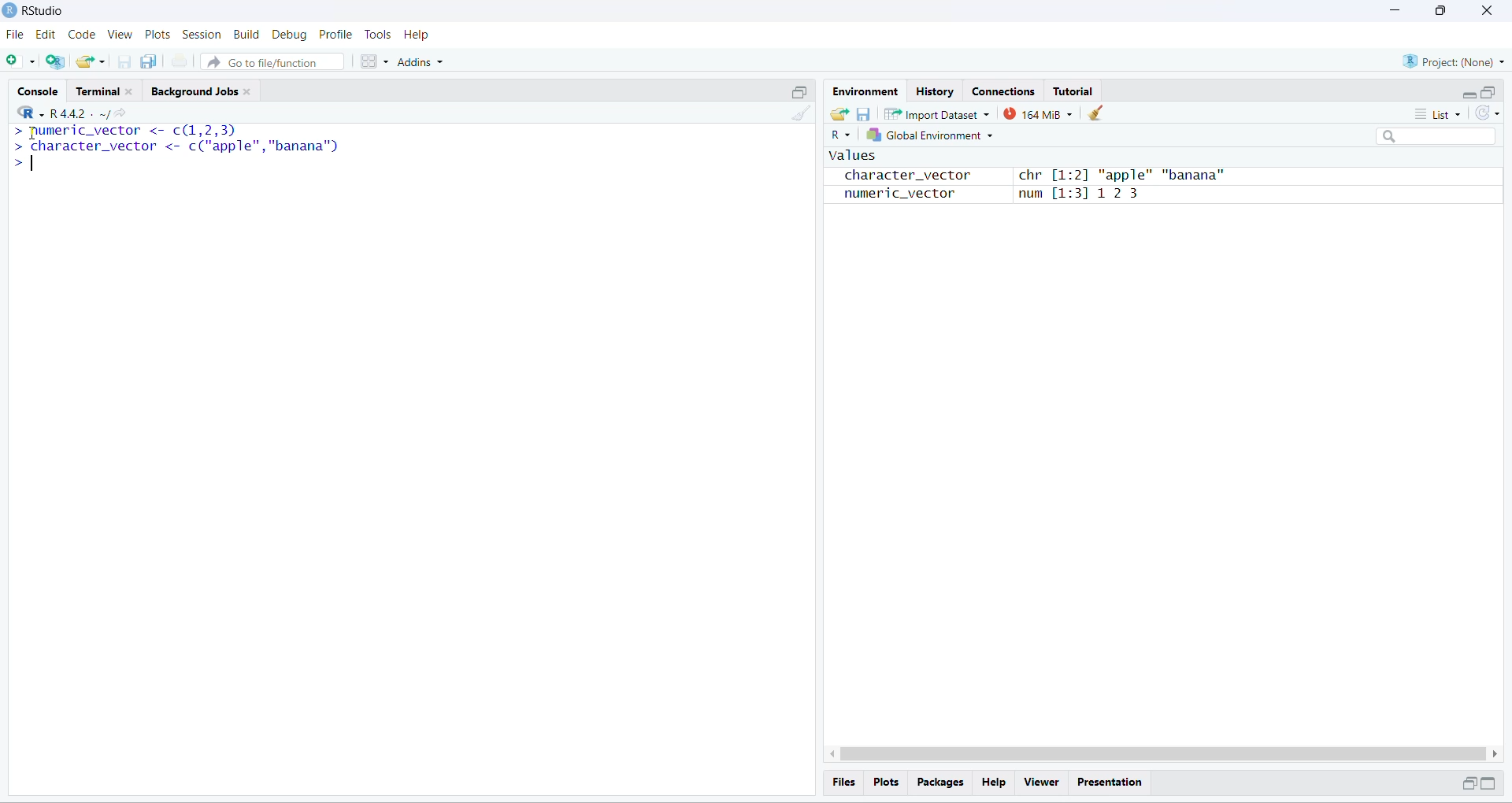  I want to click on minimize, so click(1466, 783).